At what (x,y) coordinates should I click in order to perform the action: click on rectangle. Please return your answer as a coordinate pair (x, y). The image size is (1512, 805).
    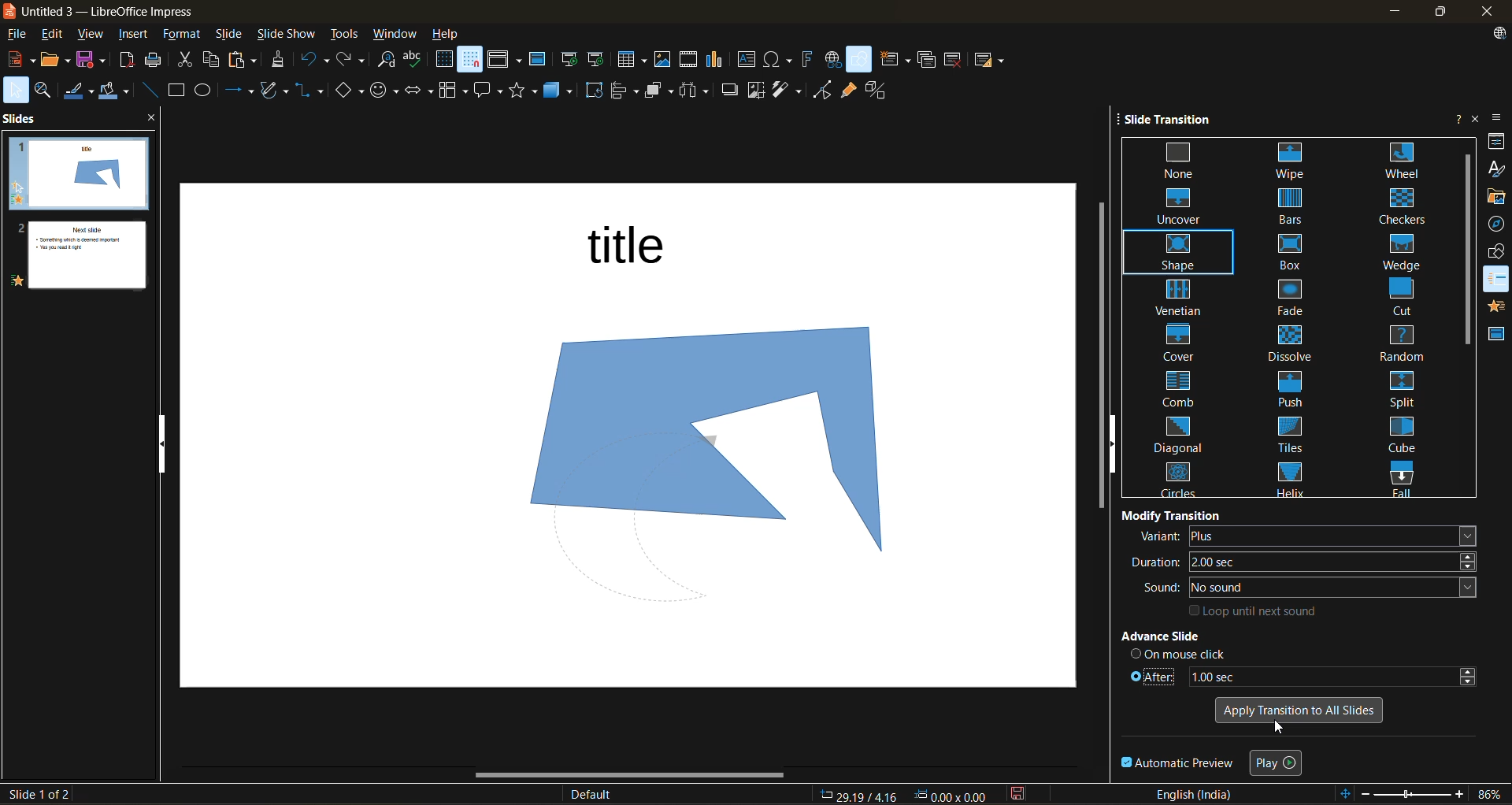
    Looking at the image, I should click on (177, 91).